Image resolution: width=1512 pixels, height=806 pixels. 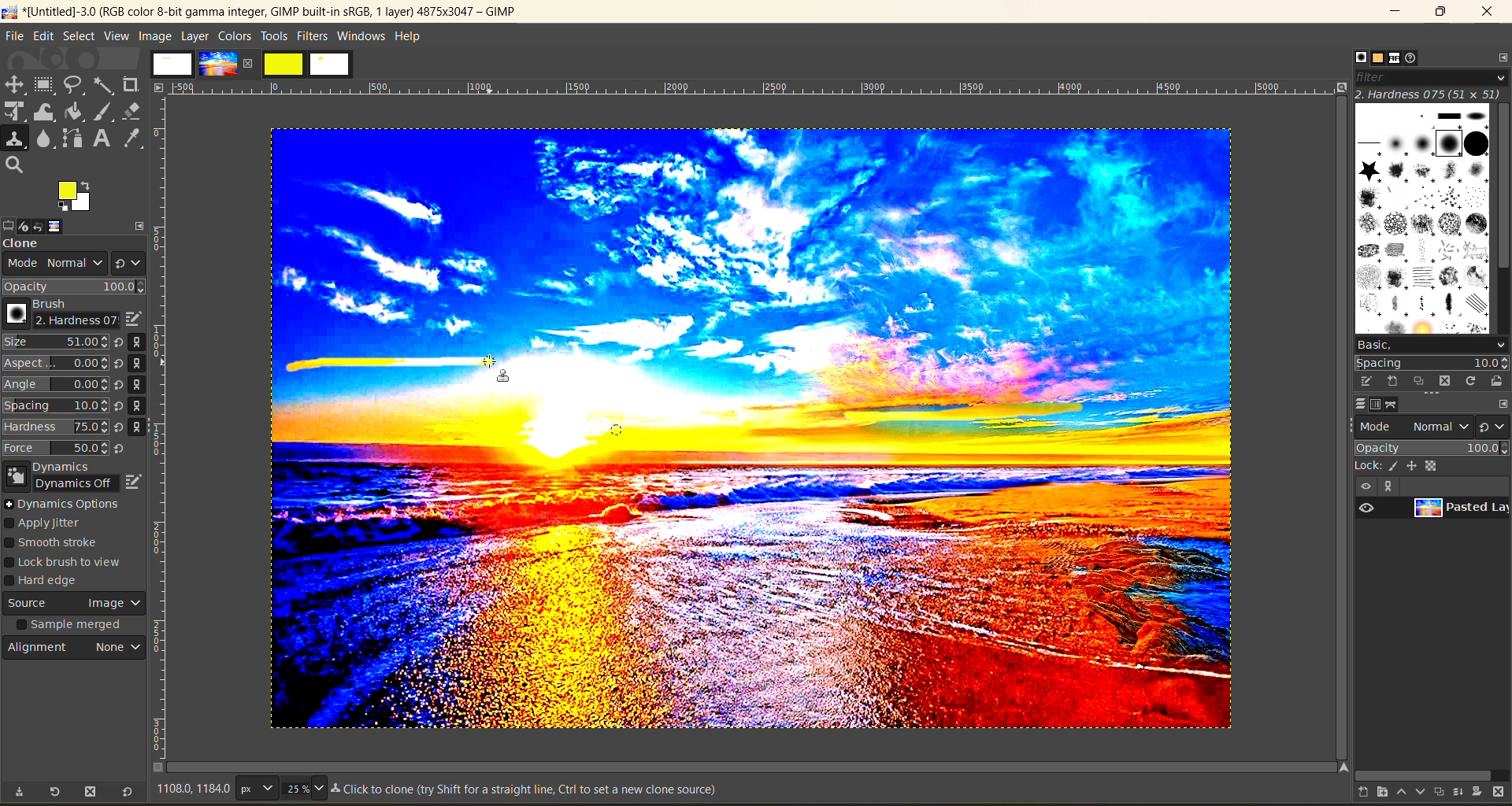 What do you see at coordinates (1430, 344) in the screenshot?
I see `basic` at bounding box center [1430, 344].